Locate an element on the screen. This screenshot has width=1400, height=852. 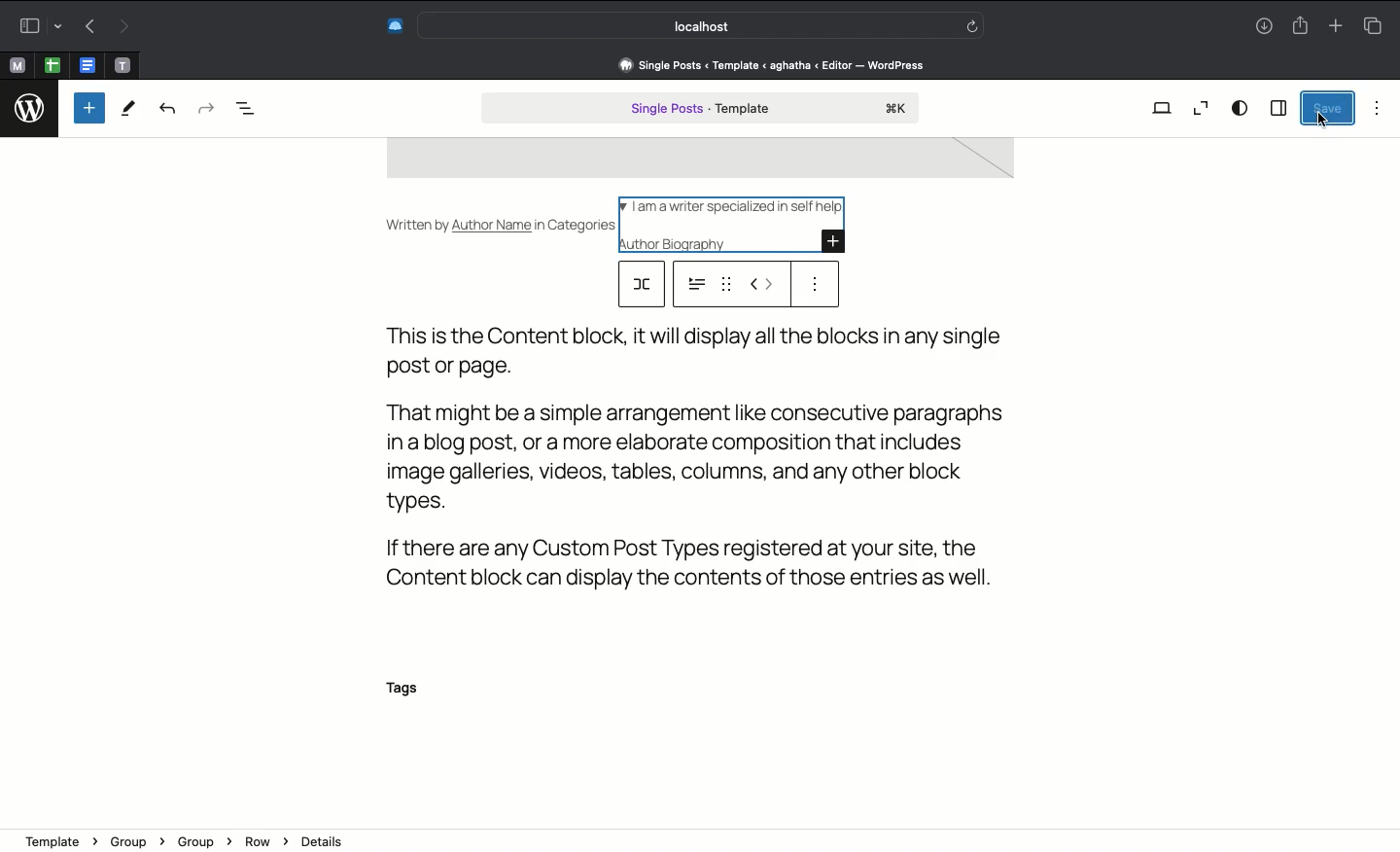
Document overview is located at coordinates (256, 109).